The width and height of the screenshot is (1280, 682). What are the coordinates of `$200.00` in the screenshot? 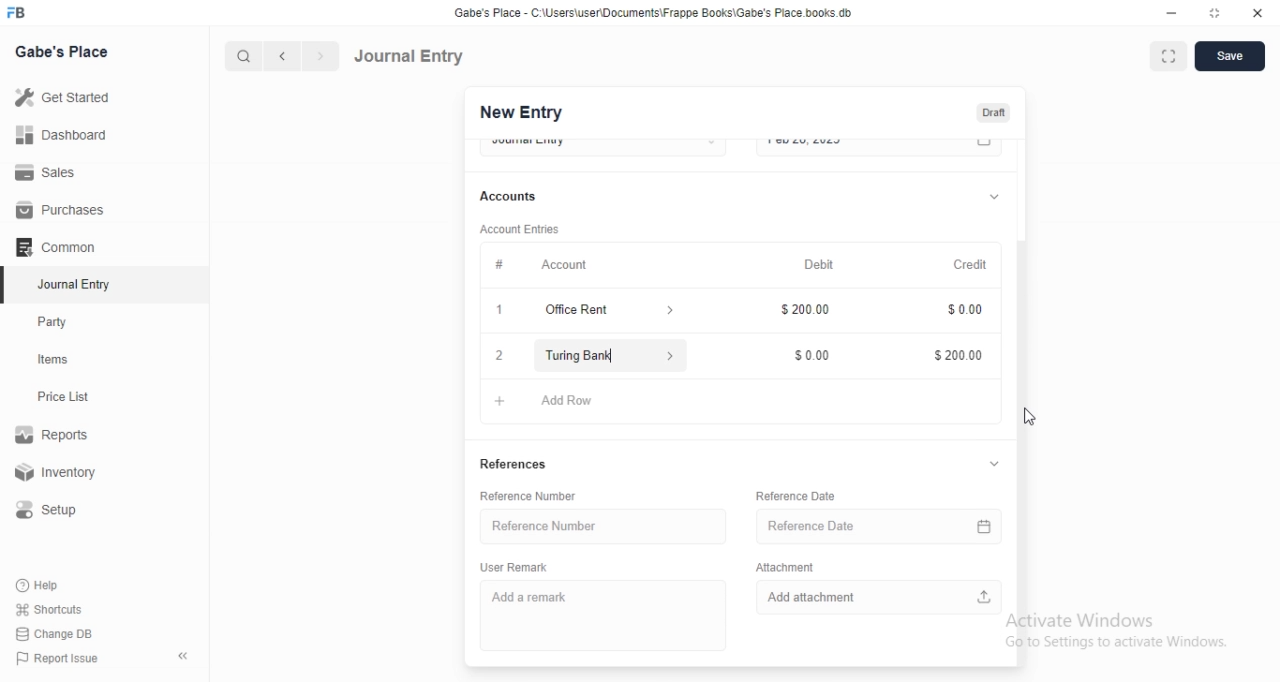 It's located at (957, 357).